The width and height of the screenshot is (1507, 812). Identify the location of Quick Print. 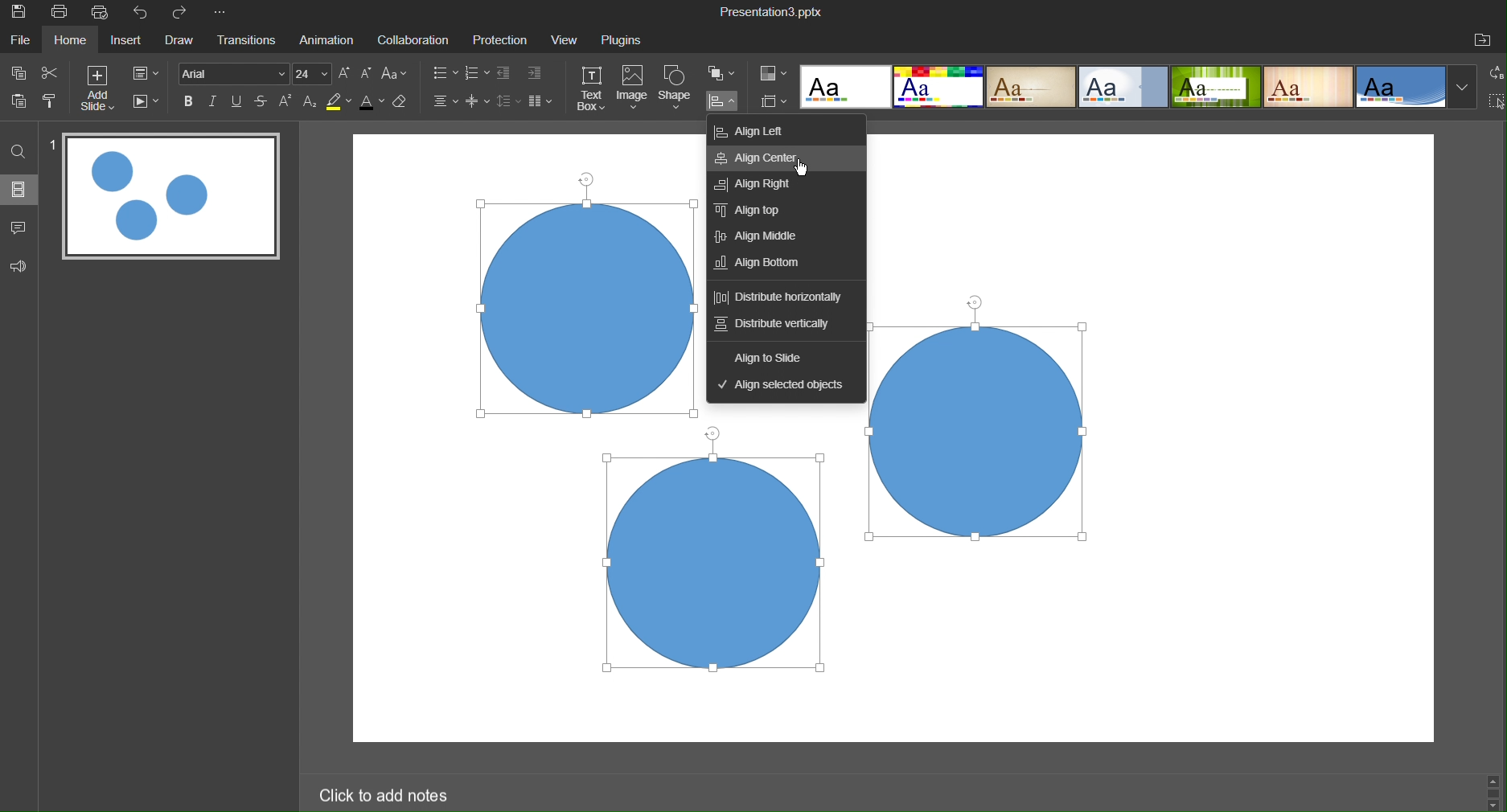
(103, 13).